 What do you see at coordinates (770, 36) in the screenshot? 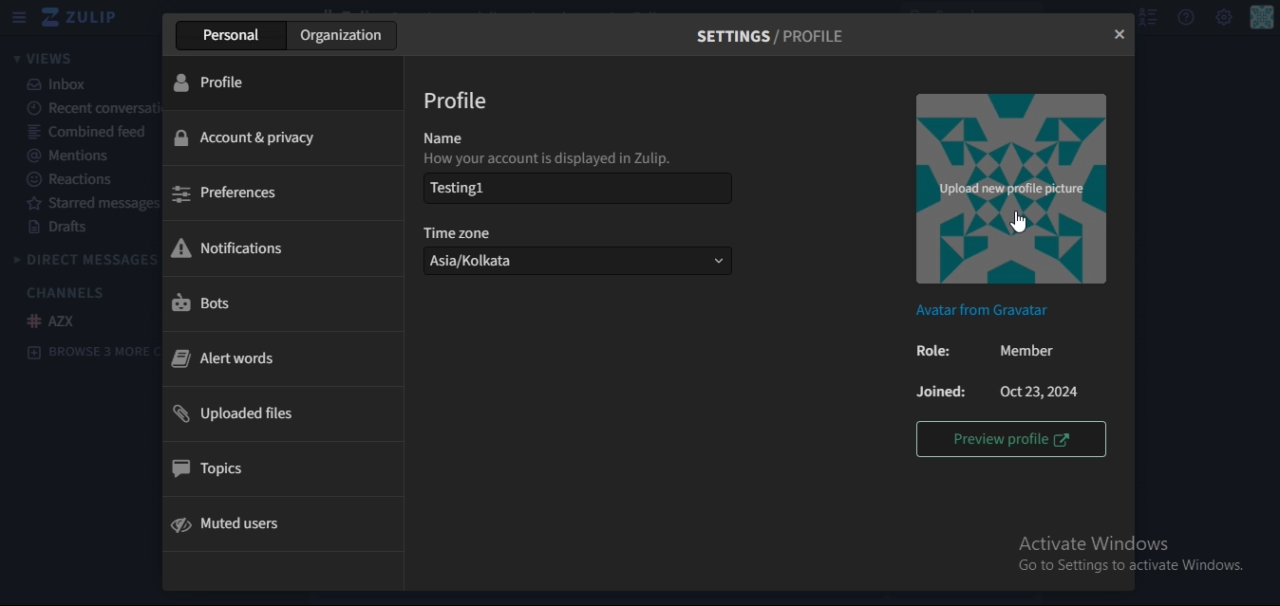
I see `settings` at bounding box center [770, 36].